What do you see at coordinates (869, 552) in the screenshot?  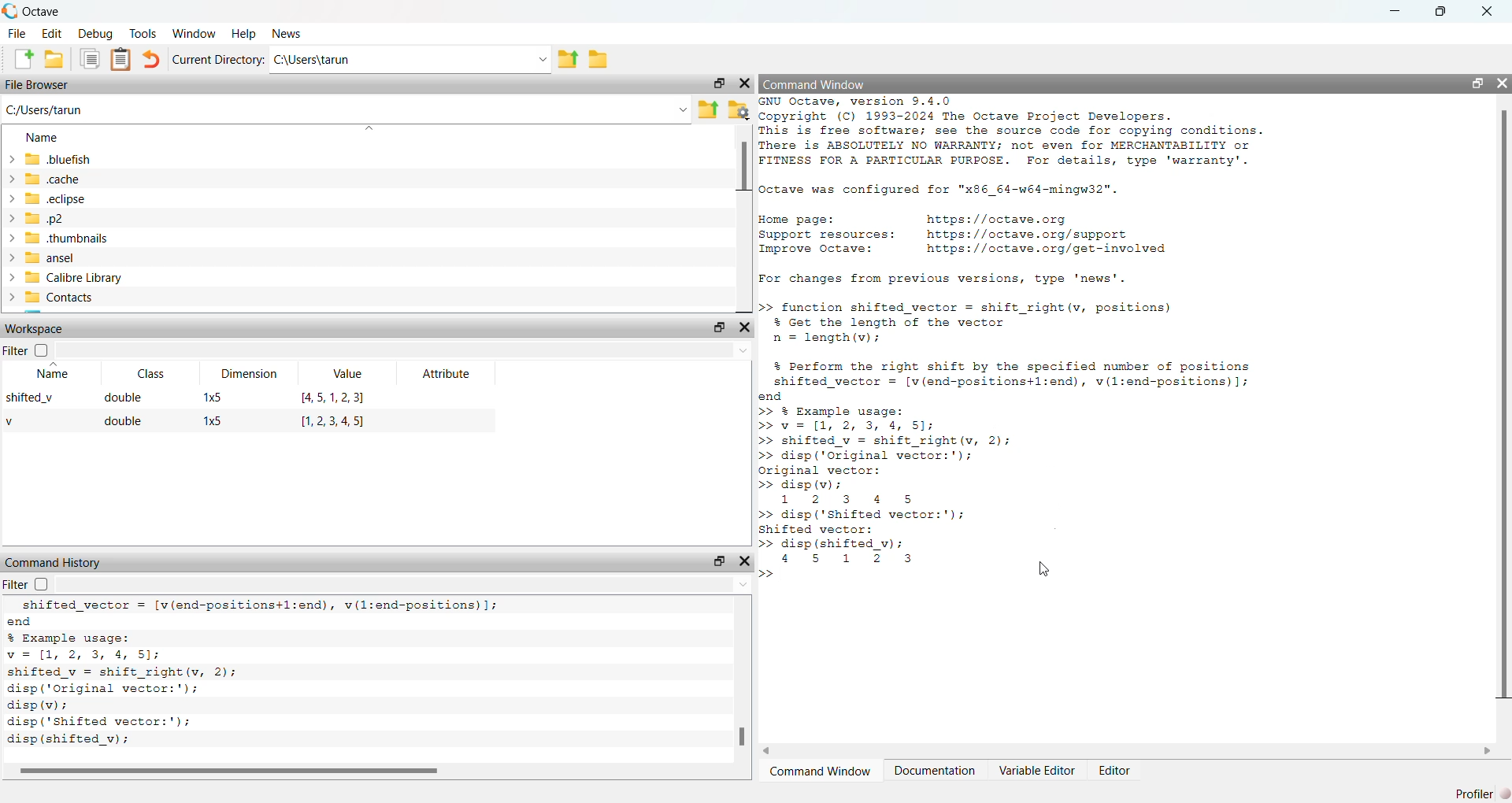 I see `display shifted vector` at bounding box center [869, 552].